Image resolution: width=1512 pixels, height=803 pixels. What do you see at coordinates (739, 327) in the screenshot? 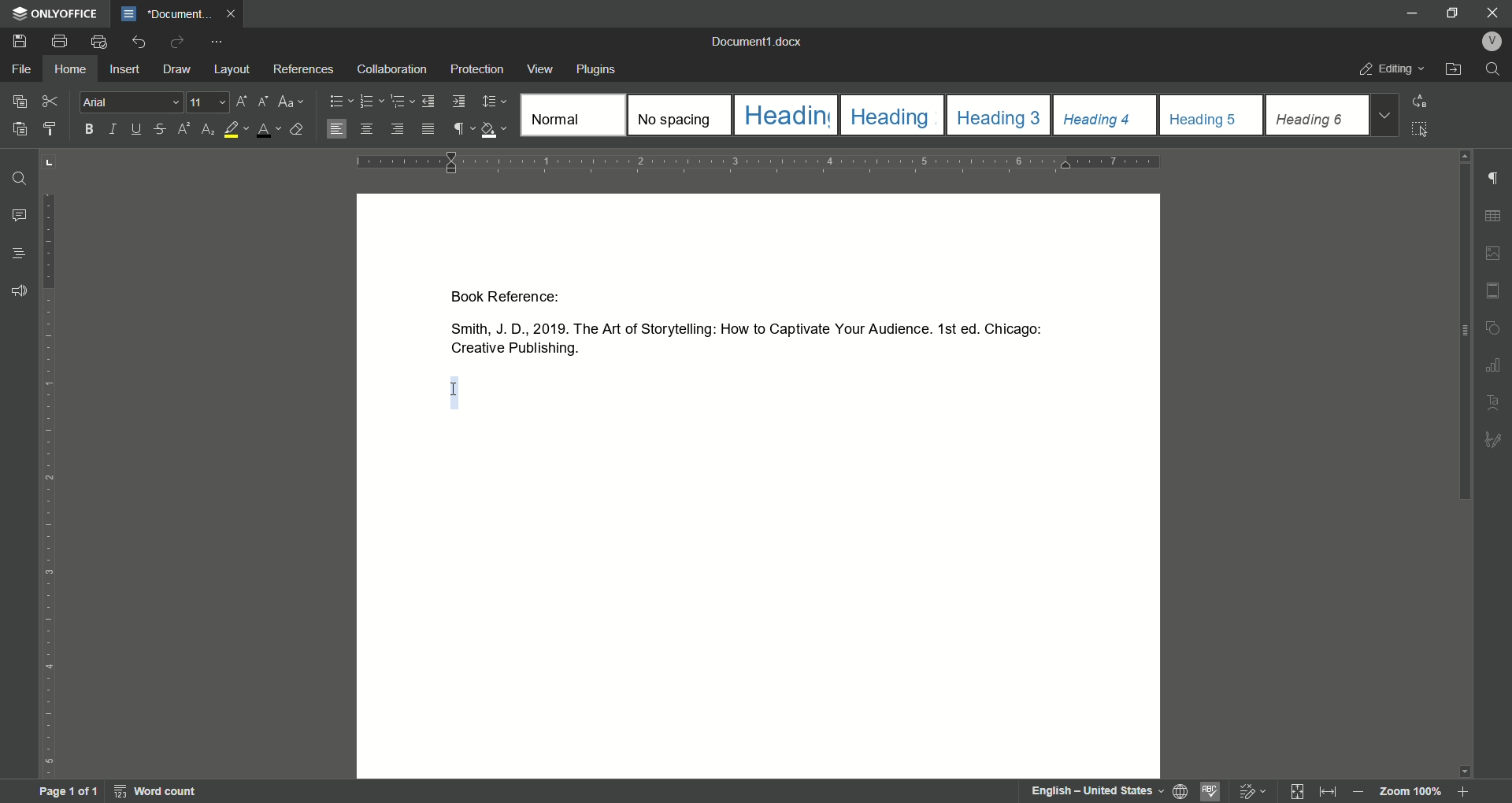
I see `Smith. J. D.. 2019. The Art of Storytelling: How to Captivate Your Audience. 1st aid: CHicago` at bounding box center [739, 327].